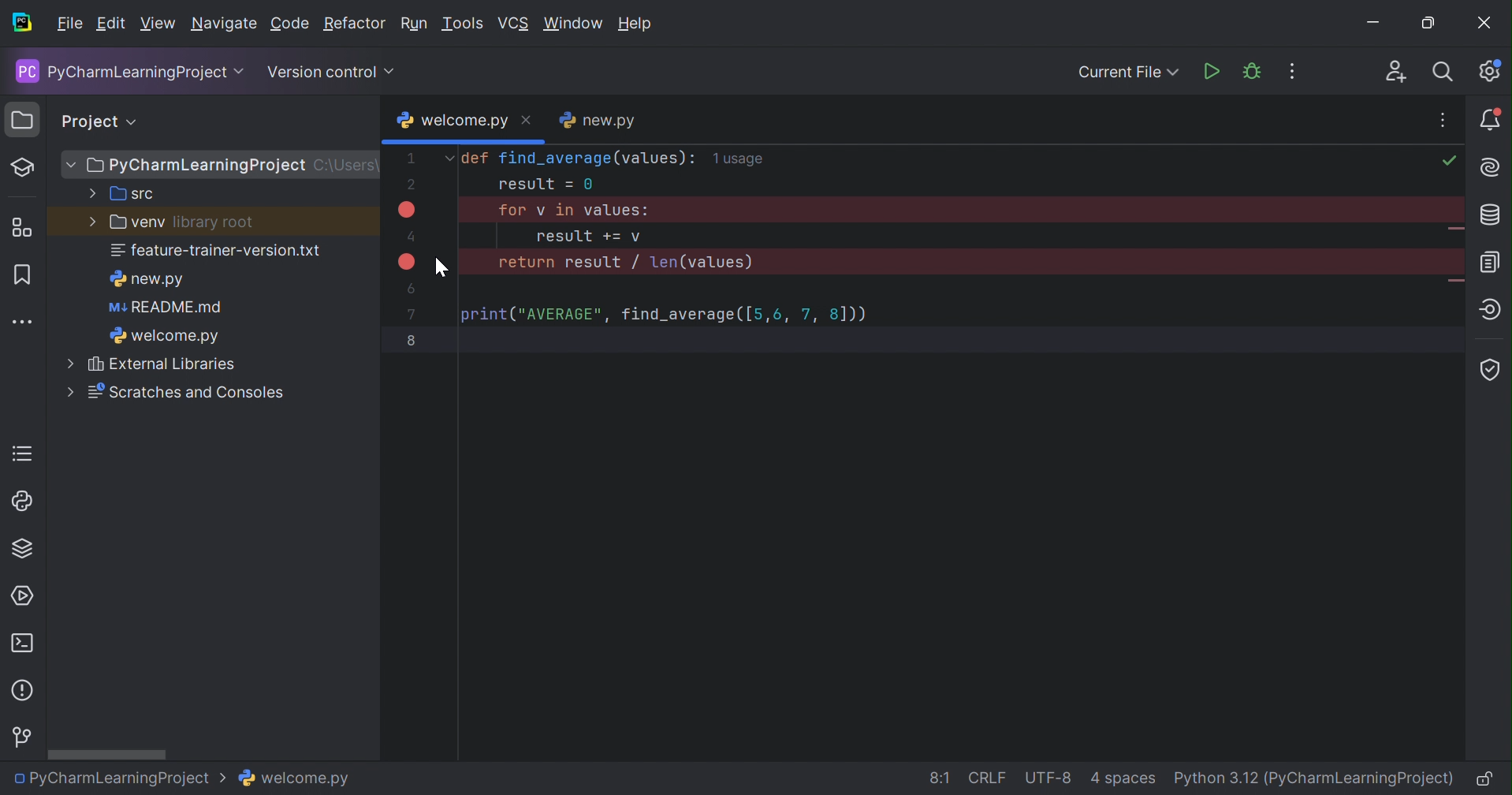  Describe the element at coordinates (665, 313) in the screenshot. I see `print("AVERAGE", find_average([5,6,7,8]))` at that location.